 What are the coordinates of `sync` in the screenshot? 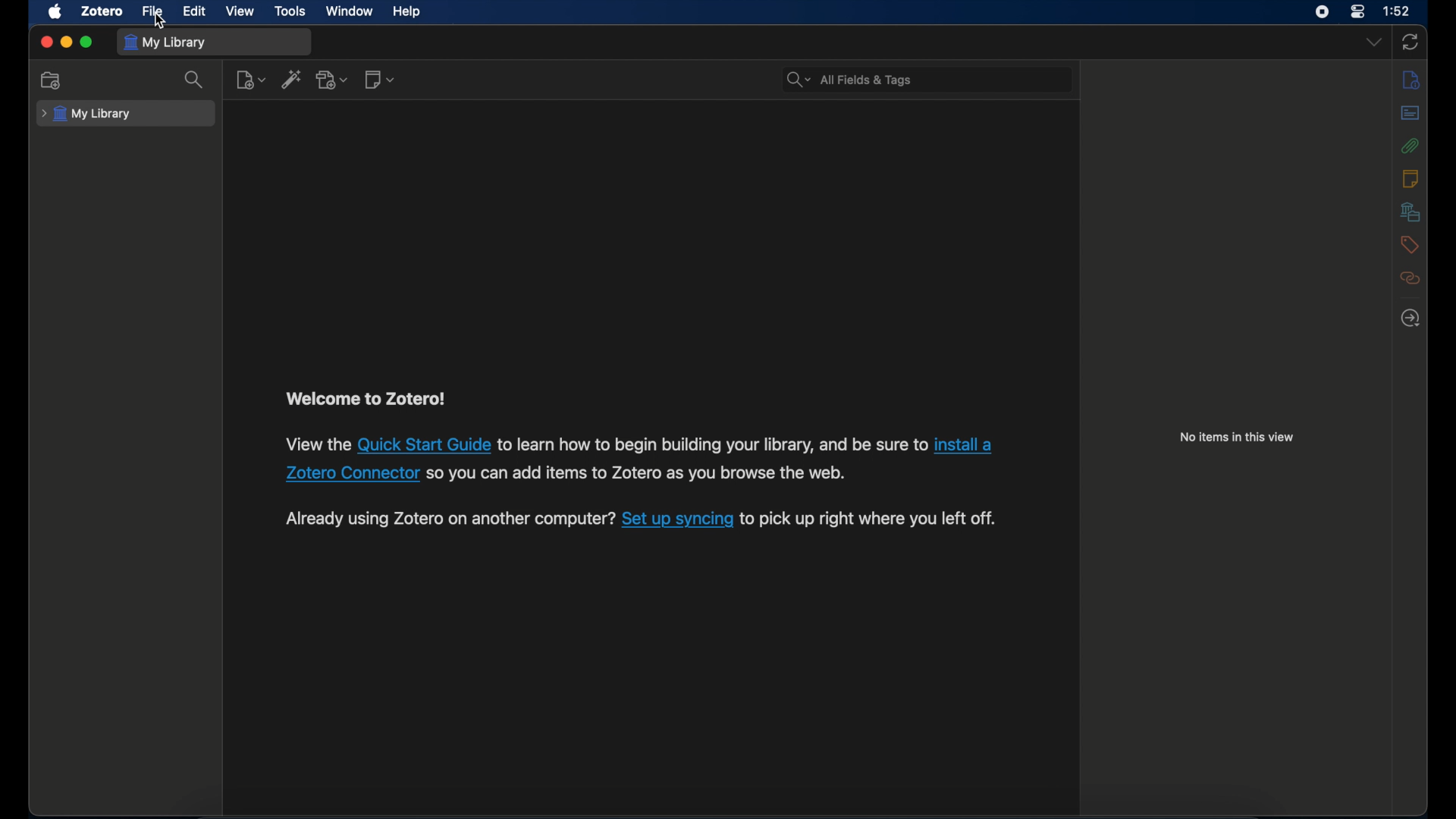 It's located at (1410, 43).